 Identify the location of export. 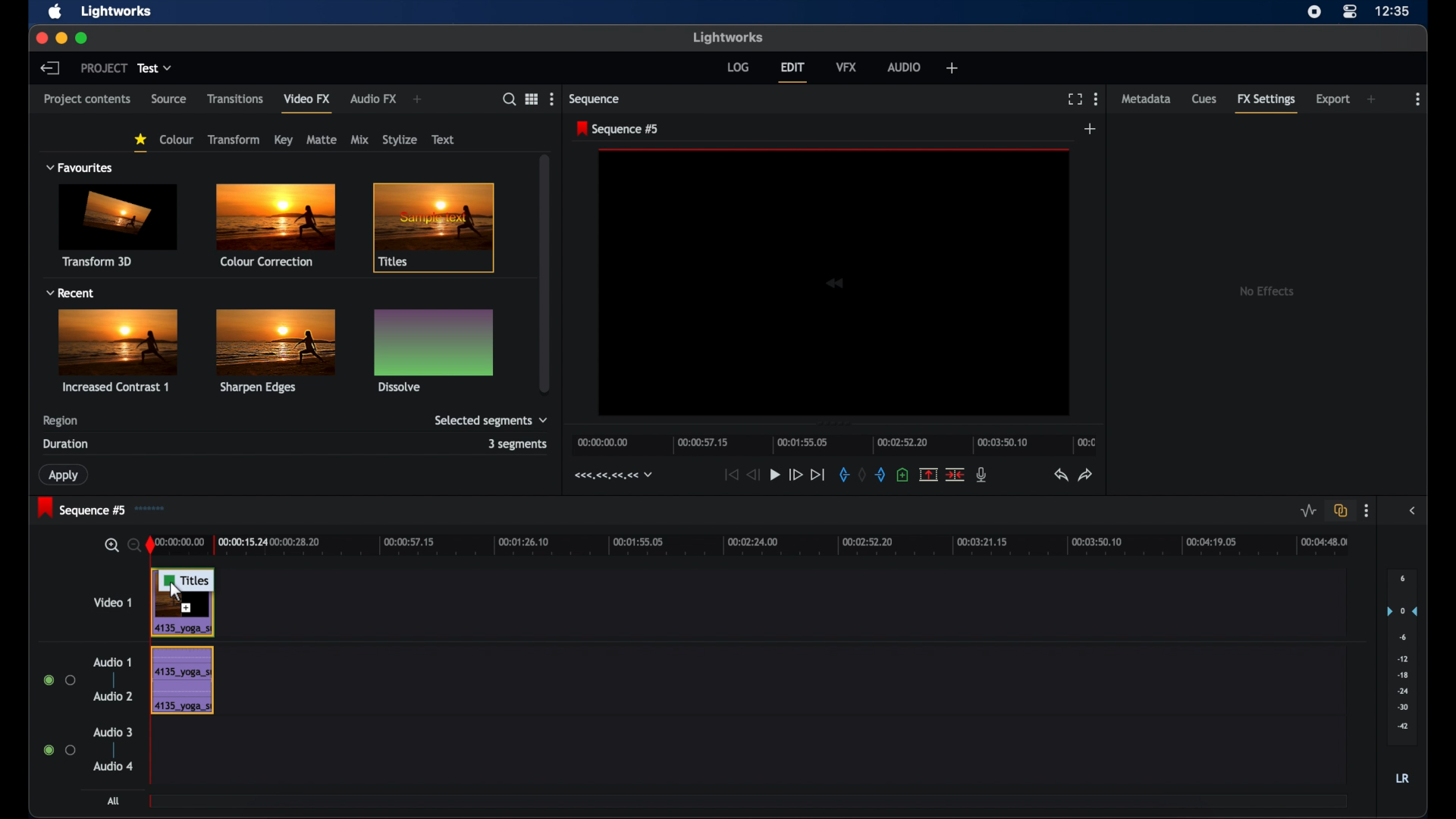
(1332, 99).